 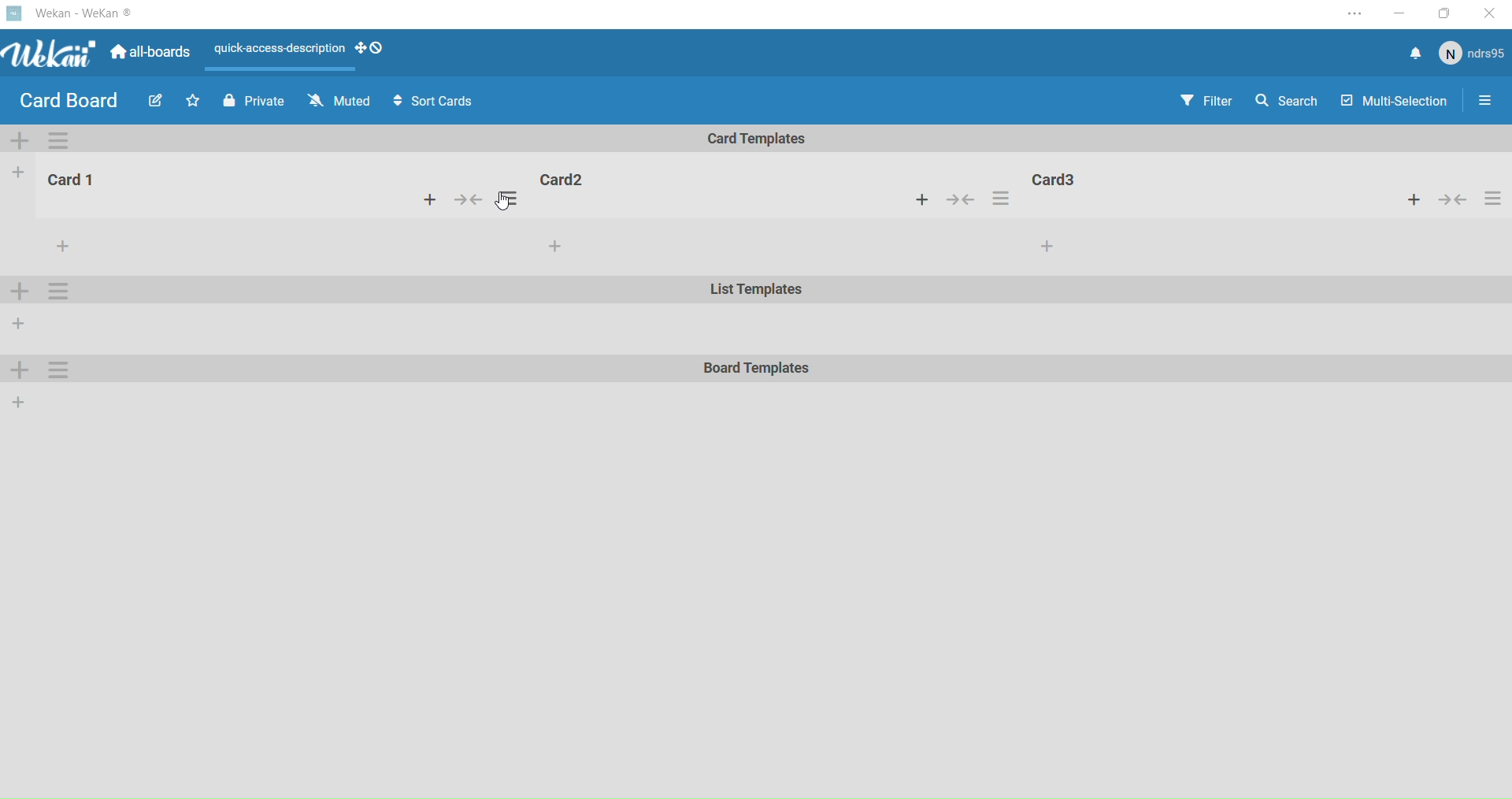 I want to click on multi selection, so click(x=1395, y=102).